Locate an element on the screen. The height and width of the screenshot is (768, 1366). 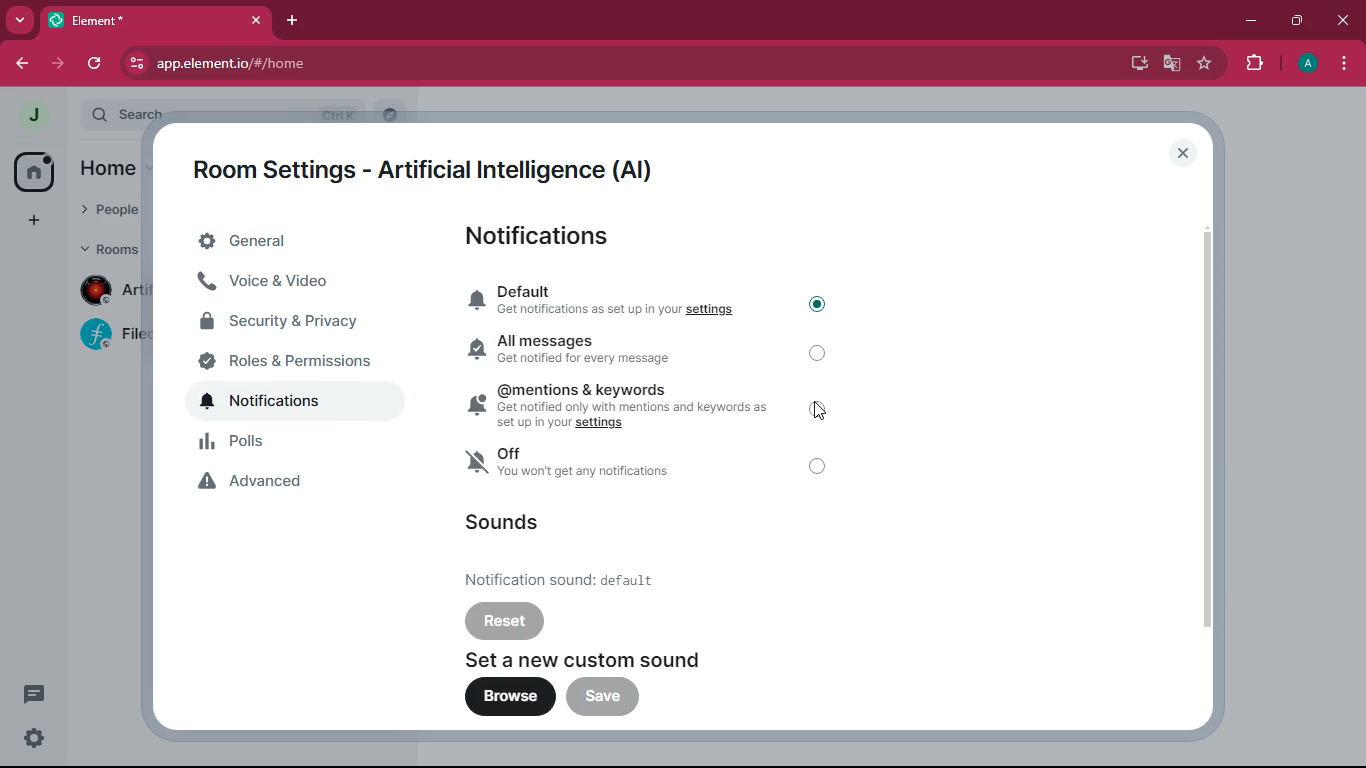
all messages is located at coordinates (610, 349).